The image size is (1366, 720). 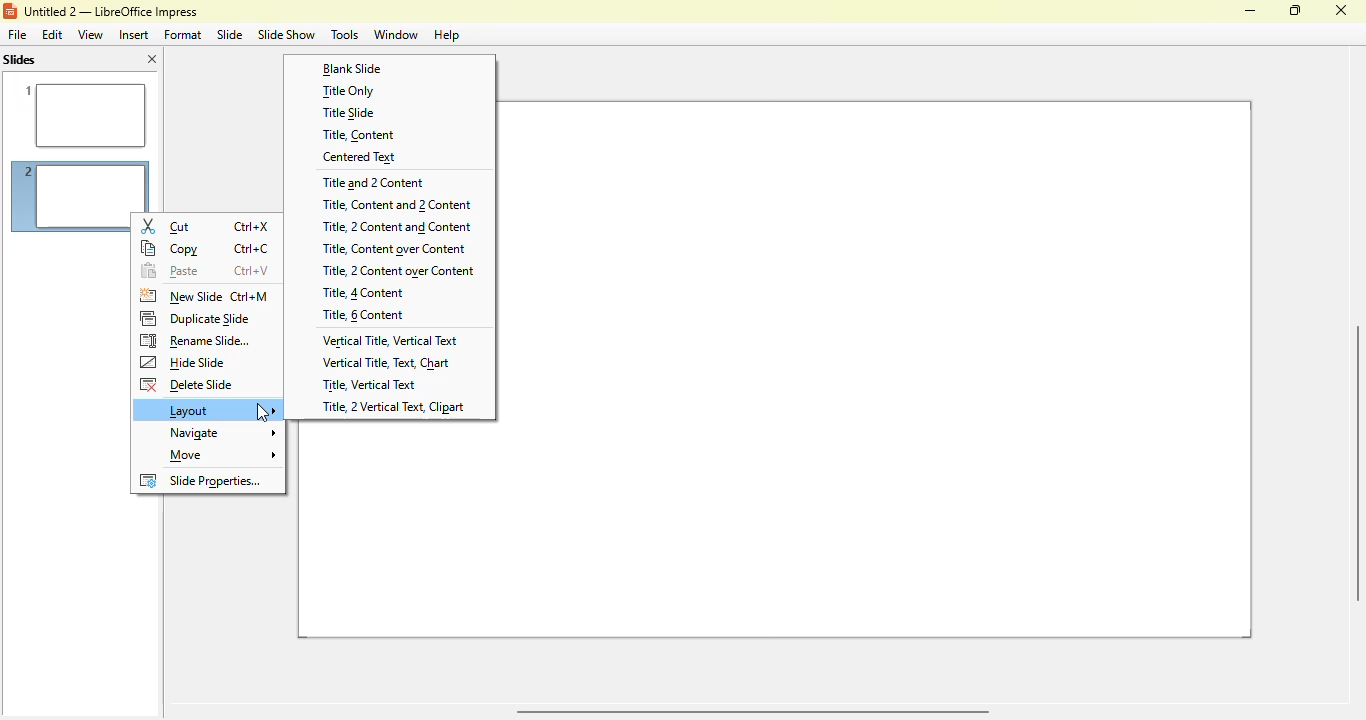 I want to click on shortcut for paste, so click(x=251, y=272).